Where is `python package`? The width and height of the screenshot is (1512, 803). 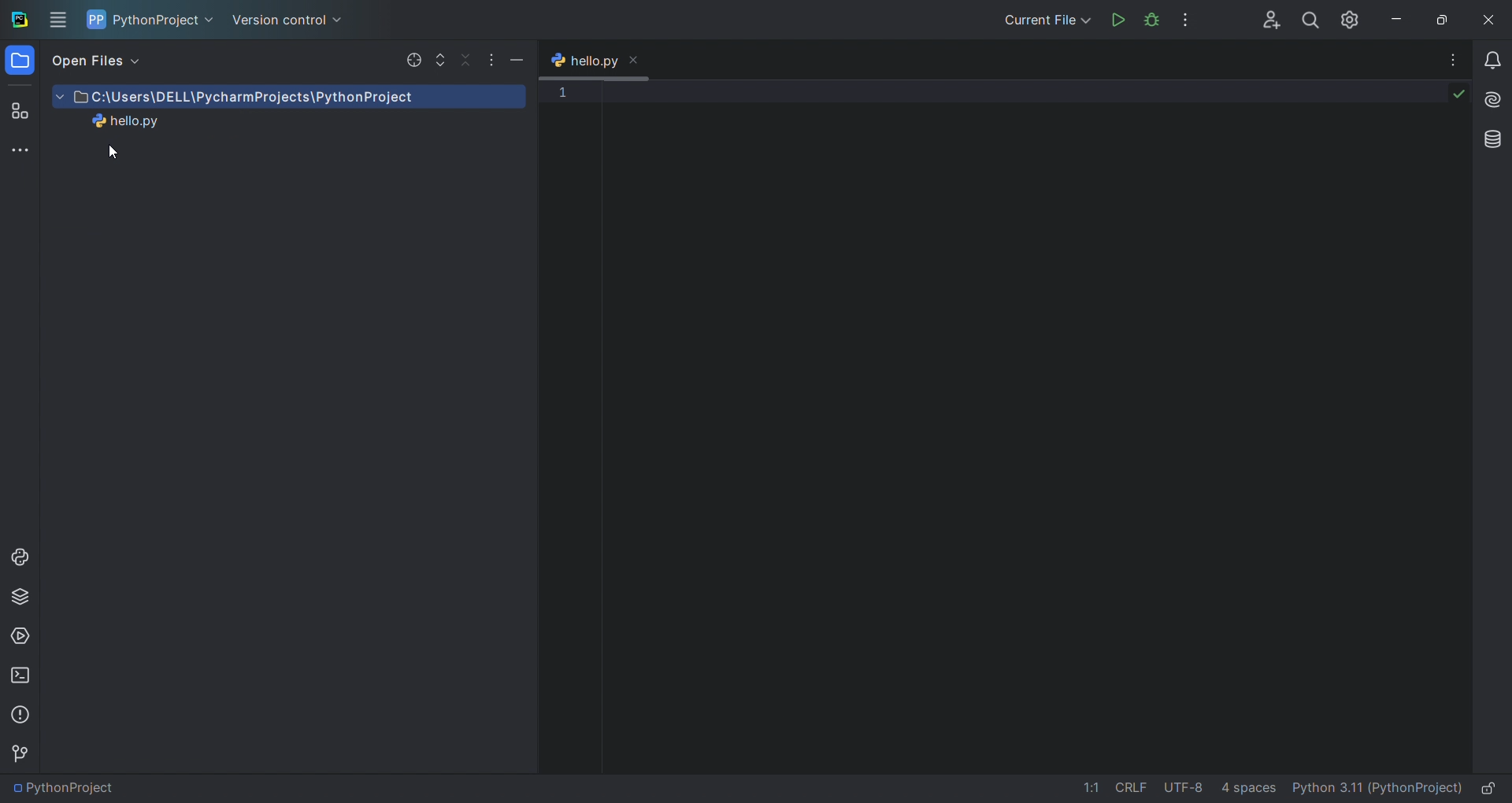 python package is located at coordinates (20, 593).